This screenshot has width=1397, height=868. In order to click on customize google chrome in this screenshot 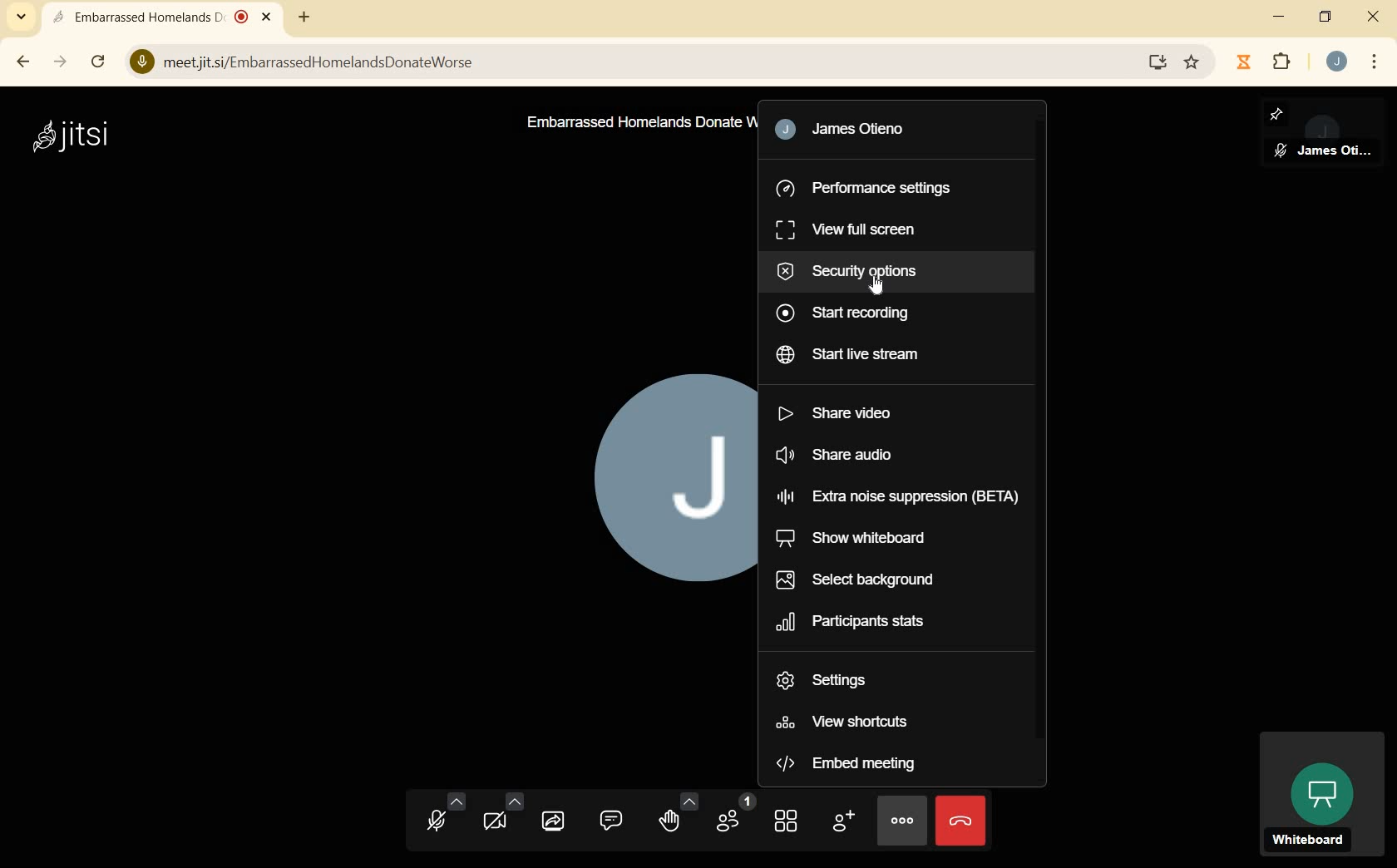, I will do `click(1375, 62)`.